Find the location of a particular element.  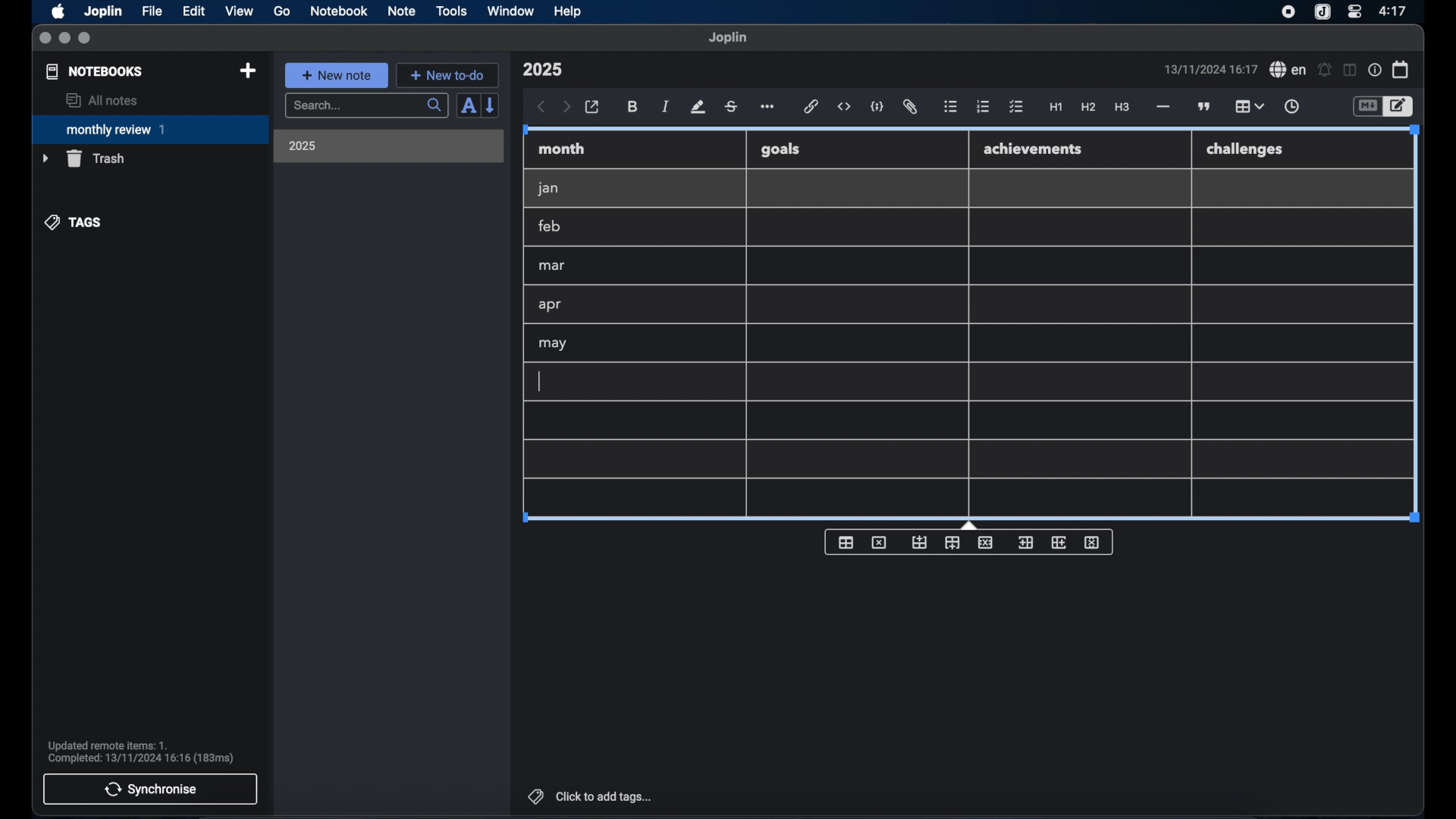

minimize is located at coordinates (64, 39).